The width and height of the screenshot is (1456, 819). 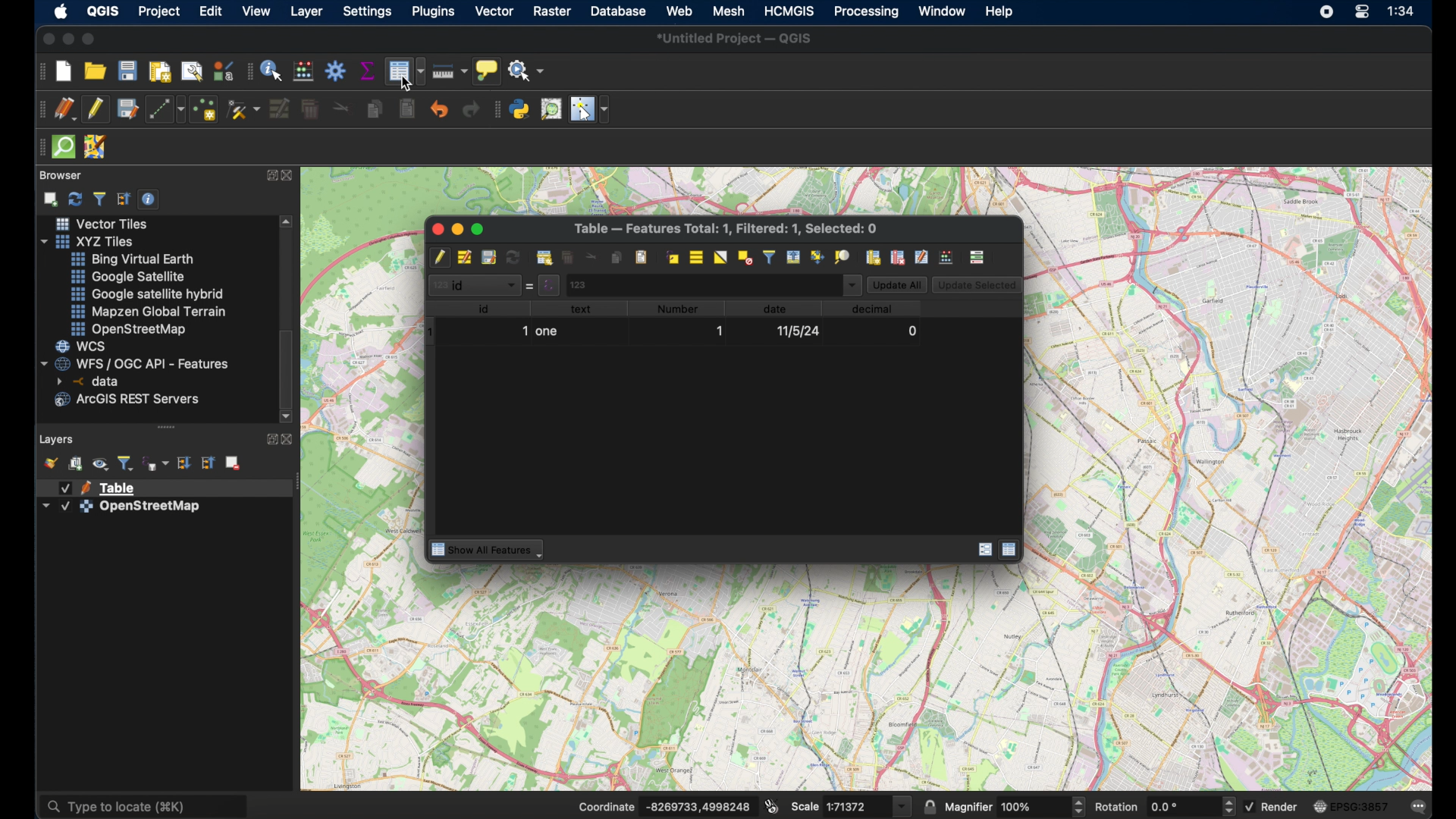 I want to click on browser, so click(x=62, y=174).